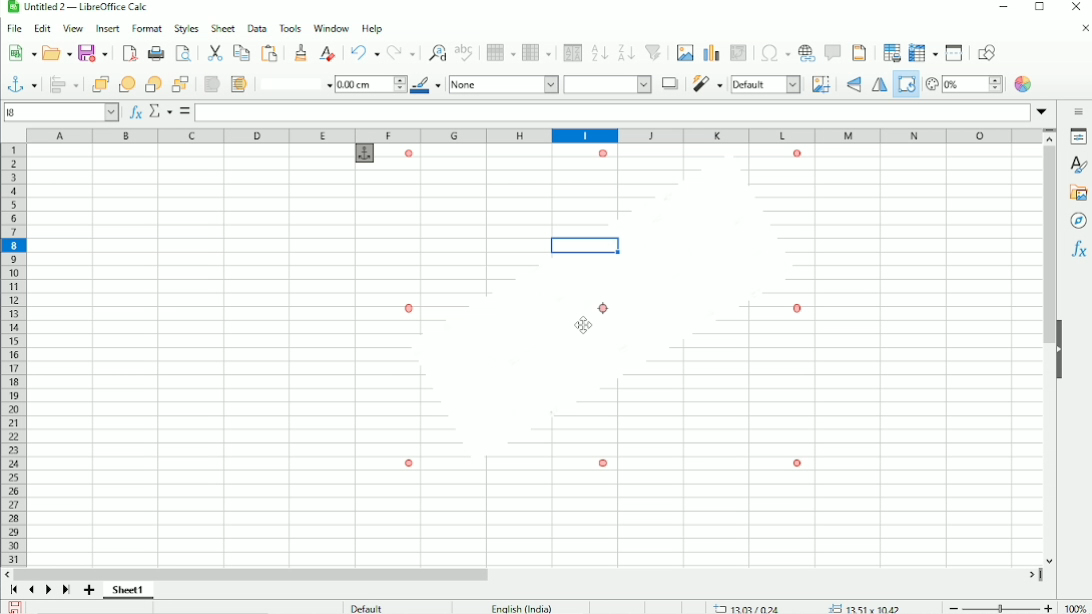  Describe the element at coordinates (183, 53) in the screenshot. I see `Toggle print preview` at that location.